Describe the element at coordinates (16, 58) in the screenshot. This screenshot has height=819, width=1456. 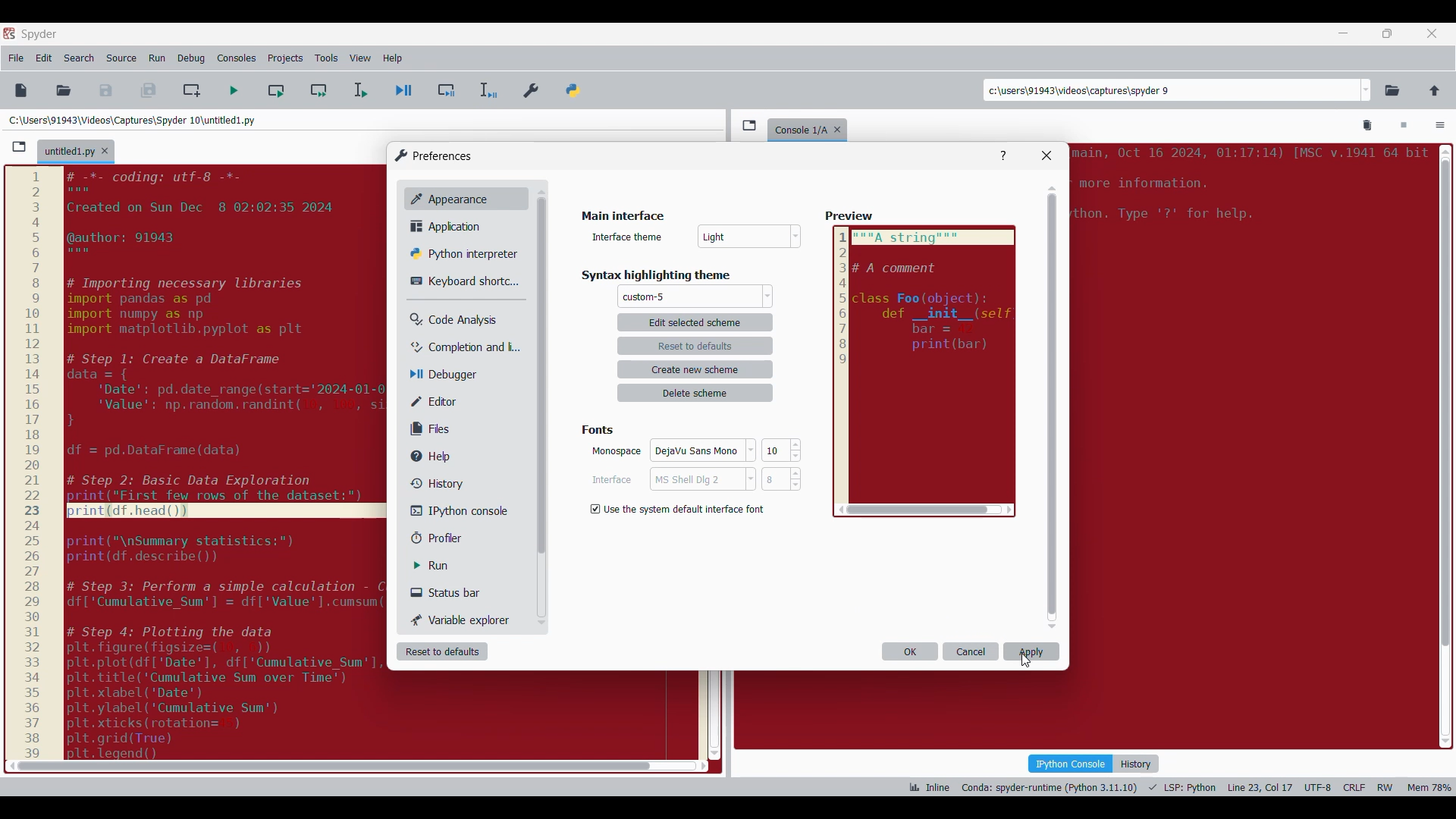
I see `File menu ` at that location.